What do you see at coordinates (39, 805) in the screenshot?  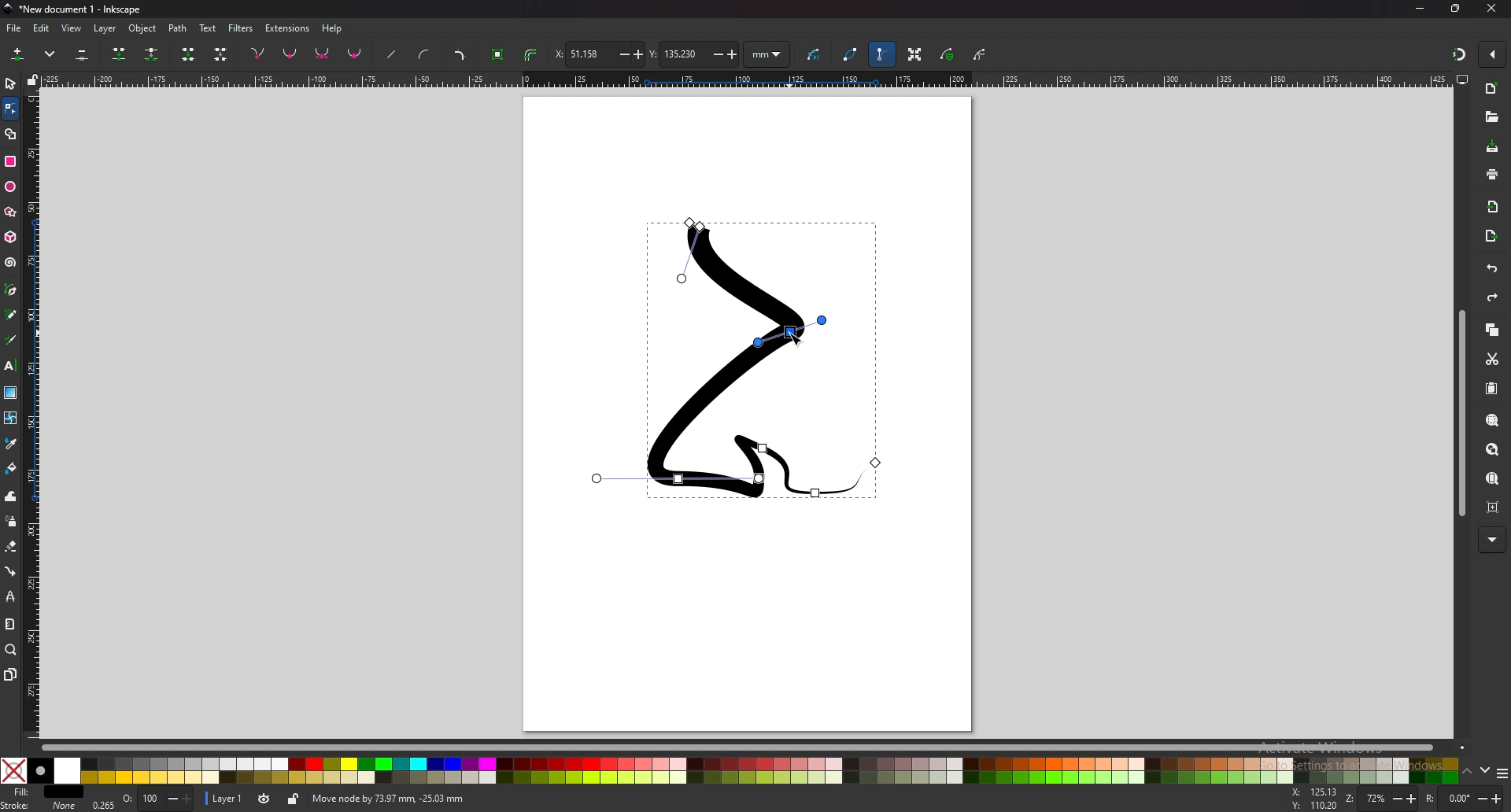 I see `stroke` at bounding box center [39, 805].